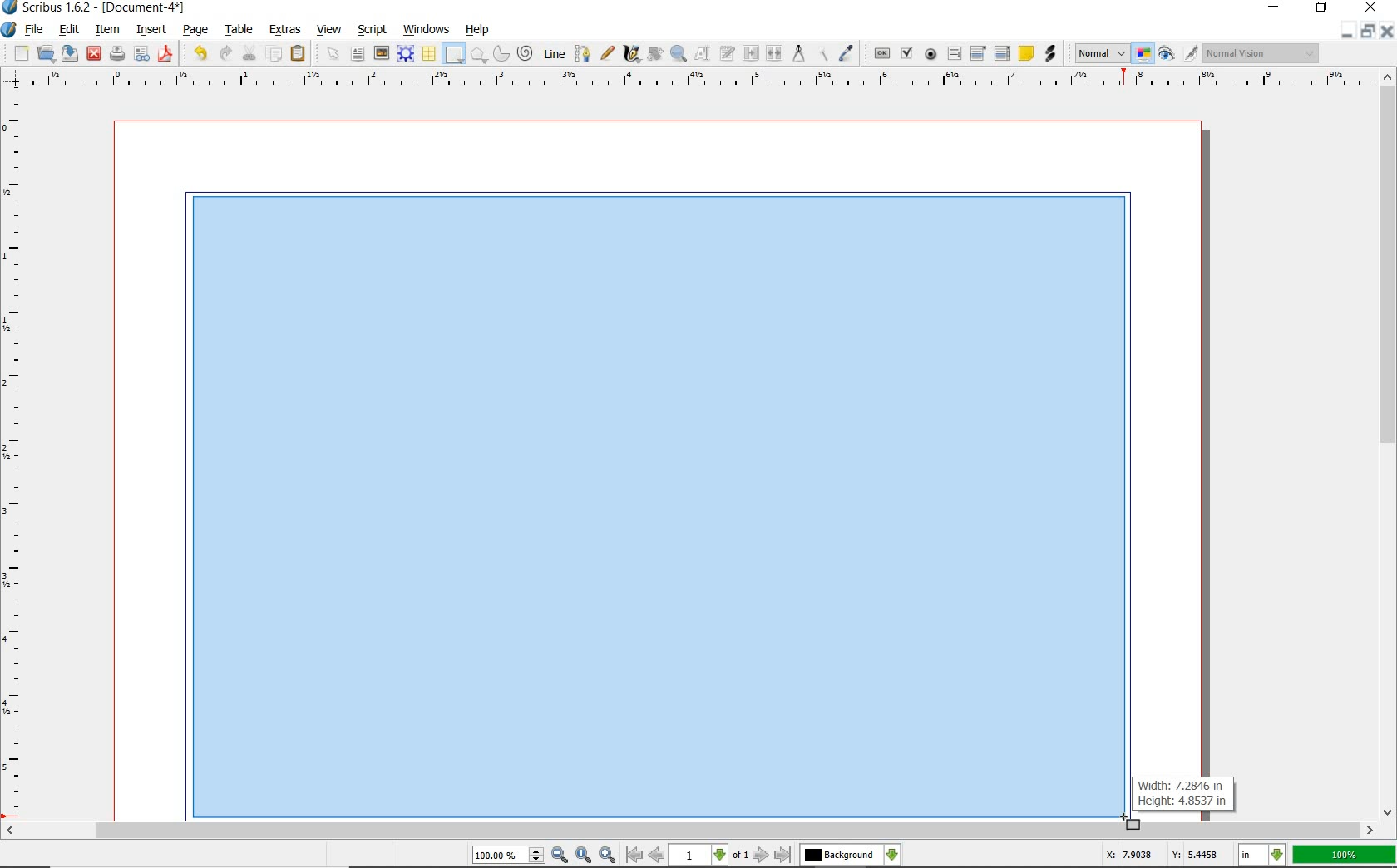  Describe the element at coordinates (726, 54) in the screenshot. I see `edit text with story editor` at that location.